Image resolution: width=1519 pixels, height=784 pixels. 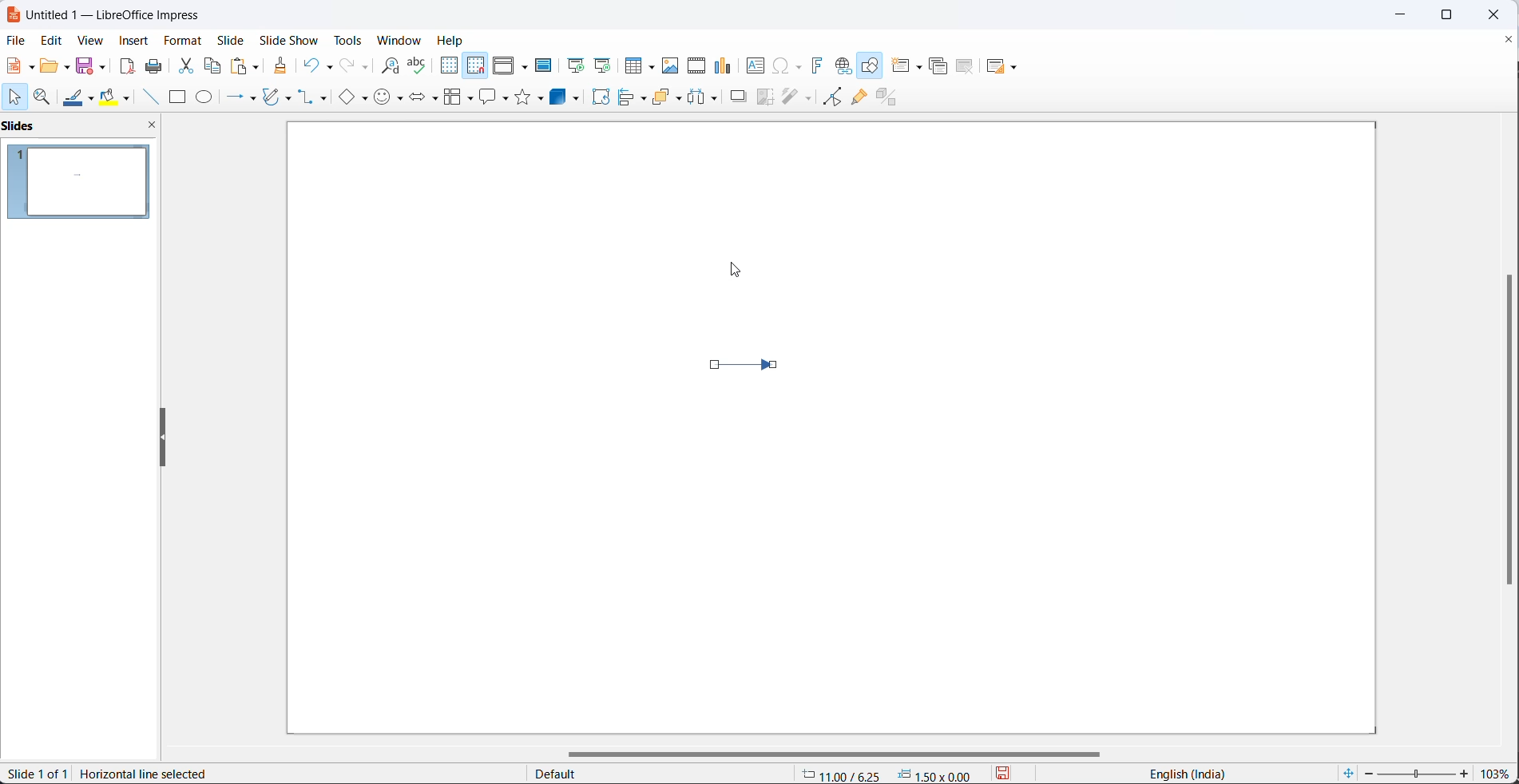 I want to click on start from current slide, so click(x=601, y=65).